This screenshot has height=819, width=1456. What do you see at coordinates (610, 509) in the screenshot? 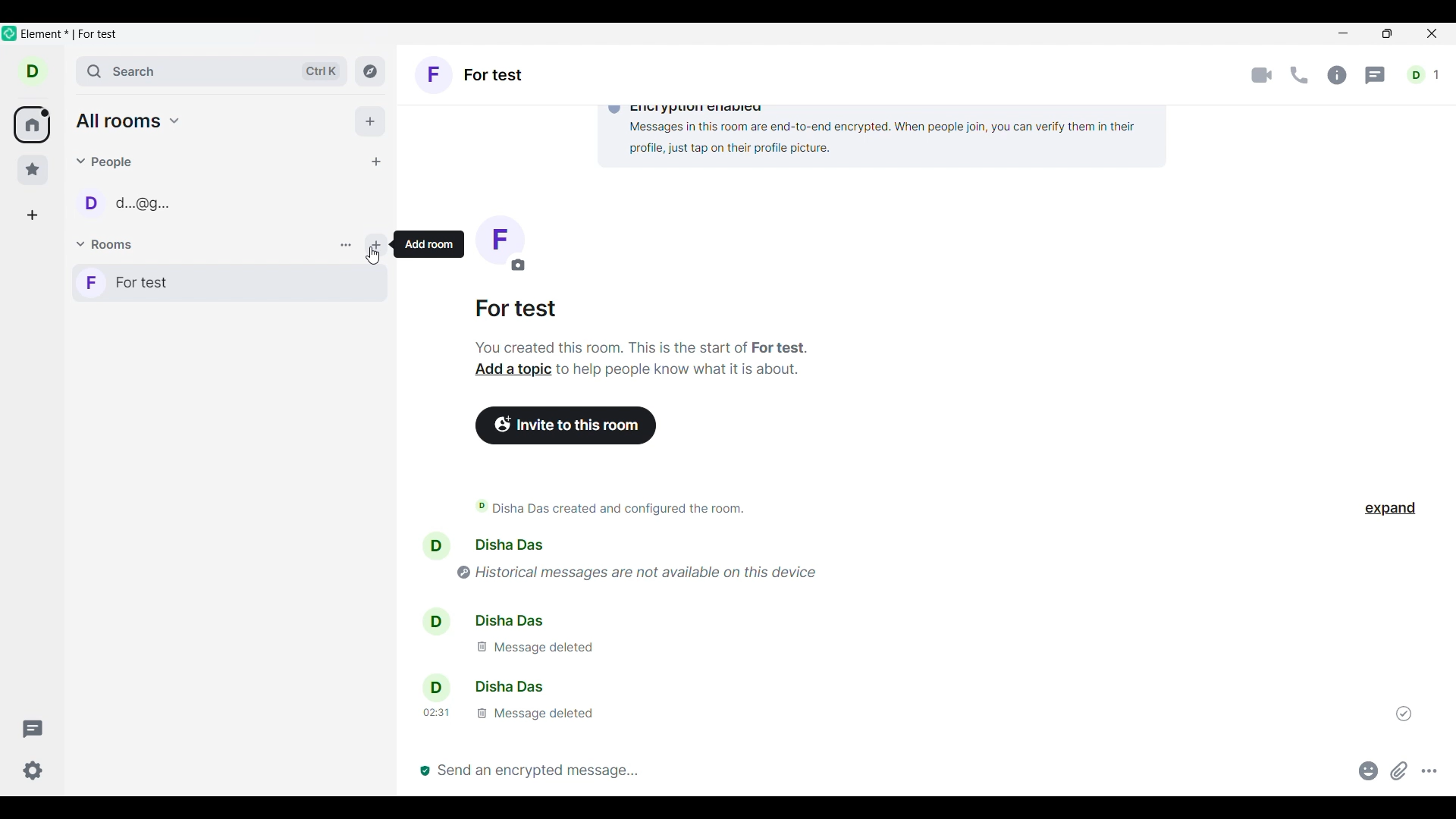
I see `disha das created and configured the room` at bounding box center [610, 509].